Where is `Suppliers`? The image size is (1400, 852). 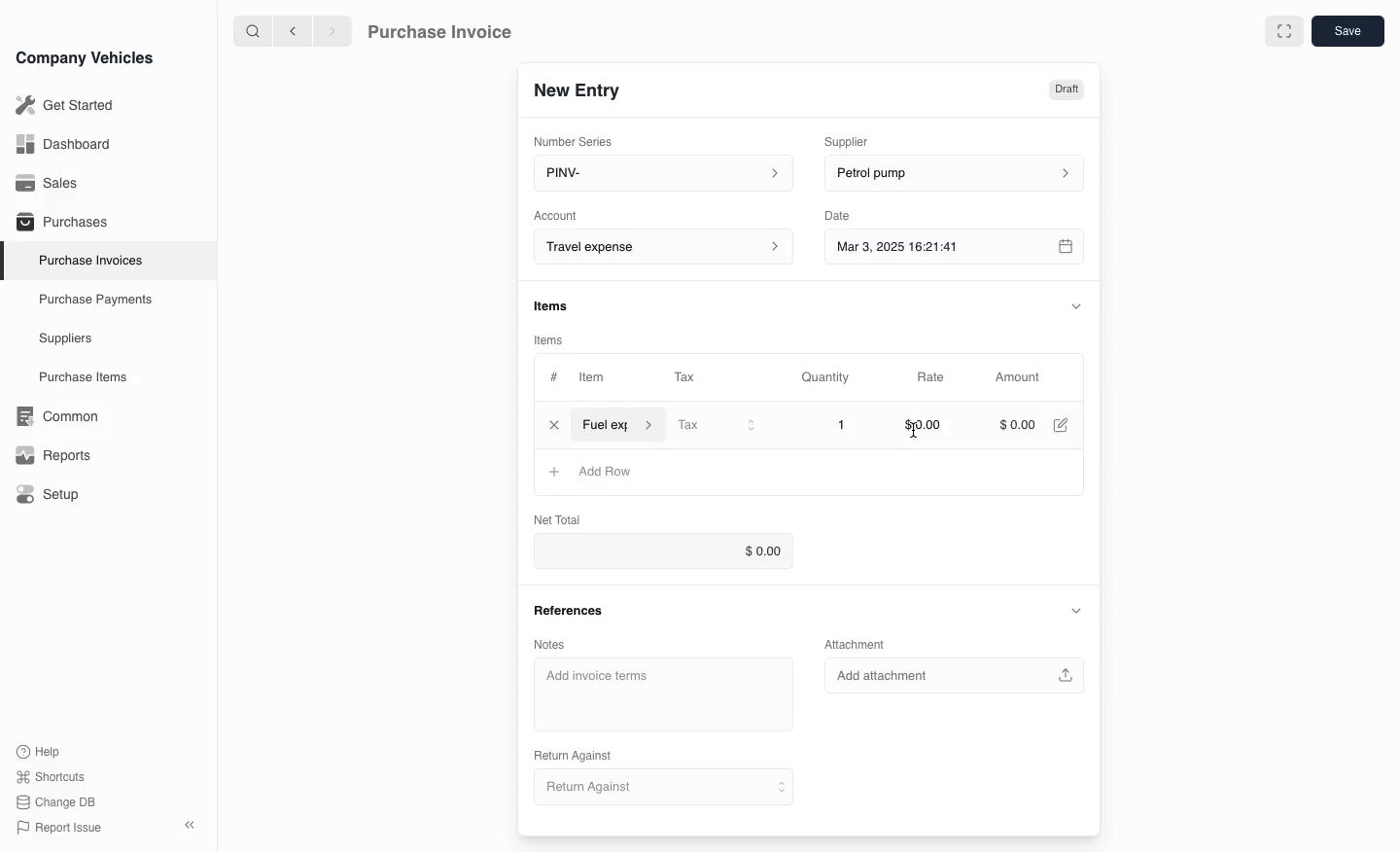 Suppliers is located at coordinates (64, 339).